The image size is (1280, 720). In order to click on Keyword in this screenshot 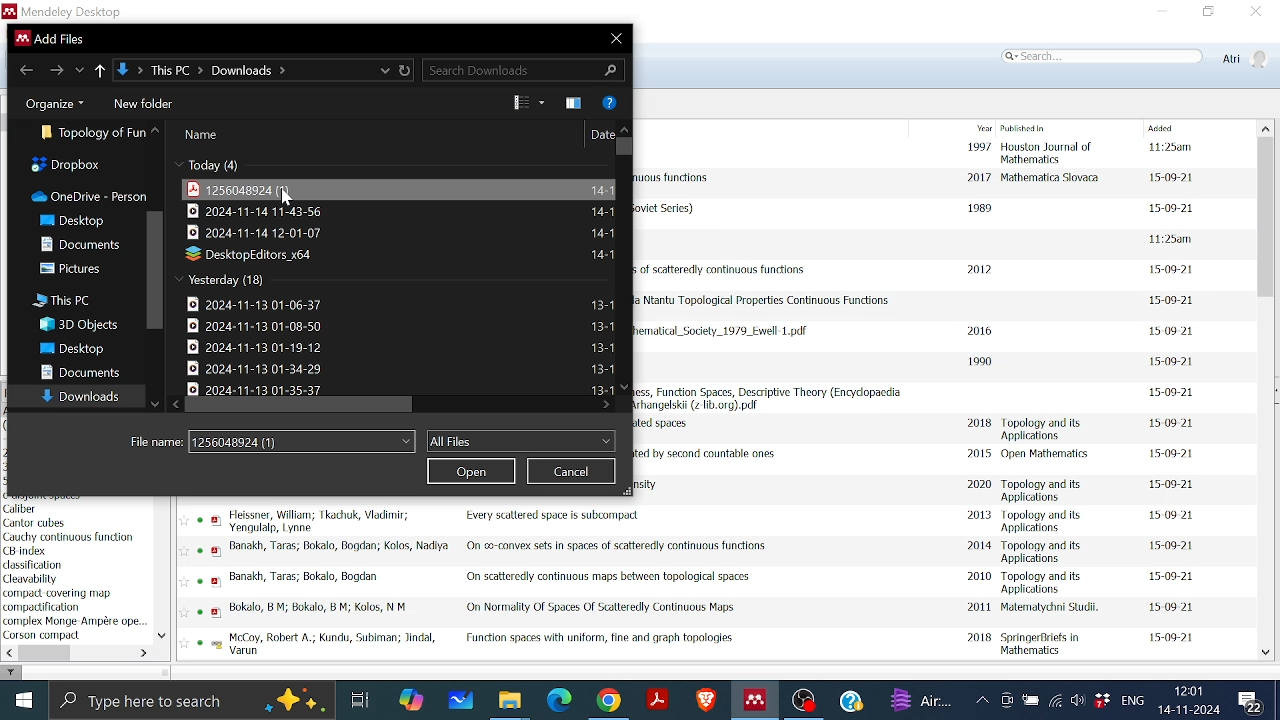, I will do `click(40, 607)`.